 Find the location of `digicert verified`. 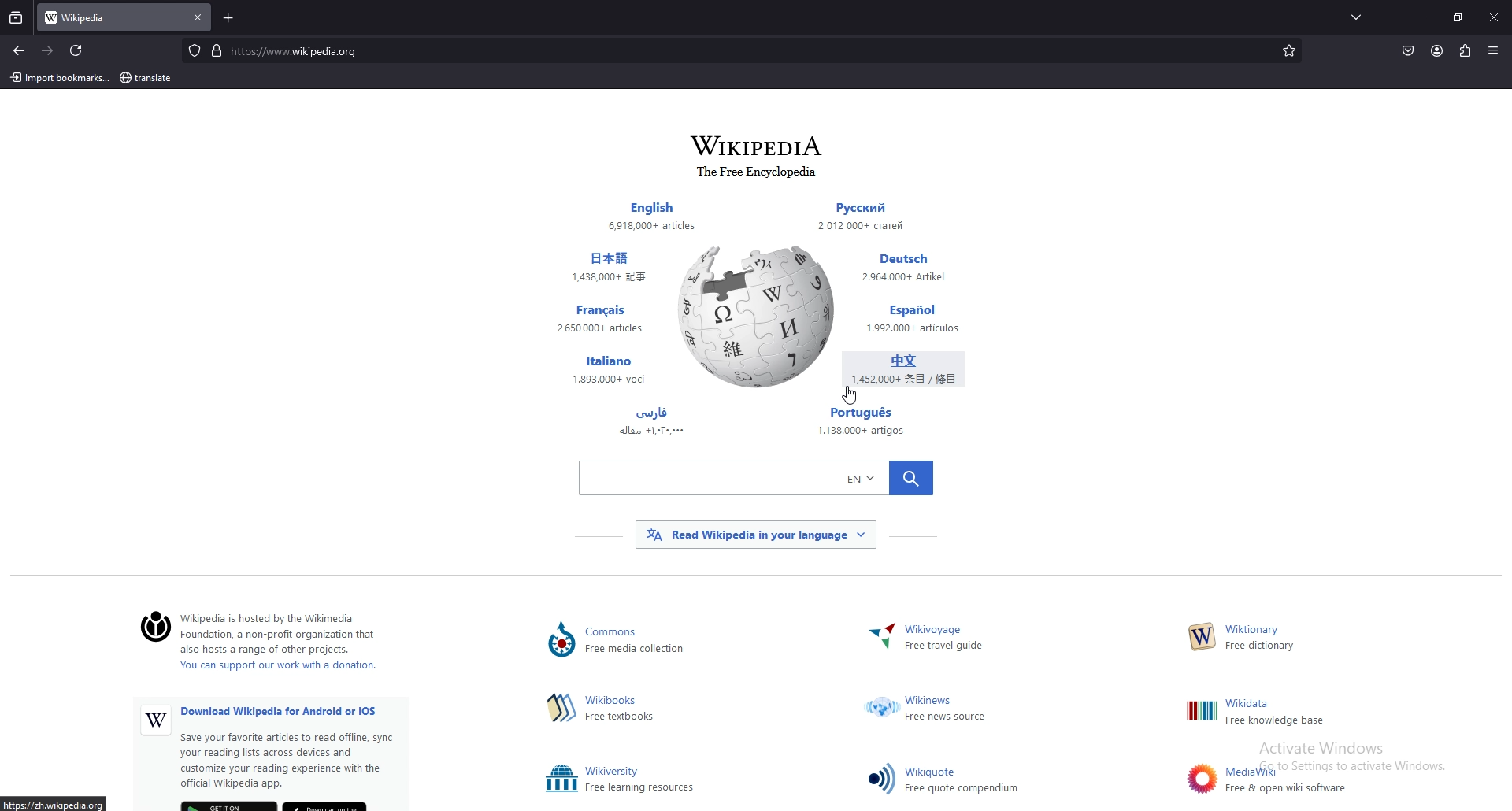

digicert verified is located at coordinates (218, 50).